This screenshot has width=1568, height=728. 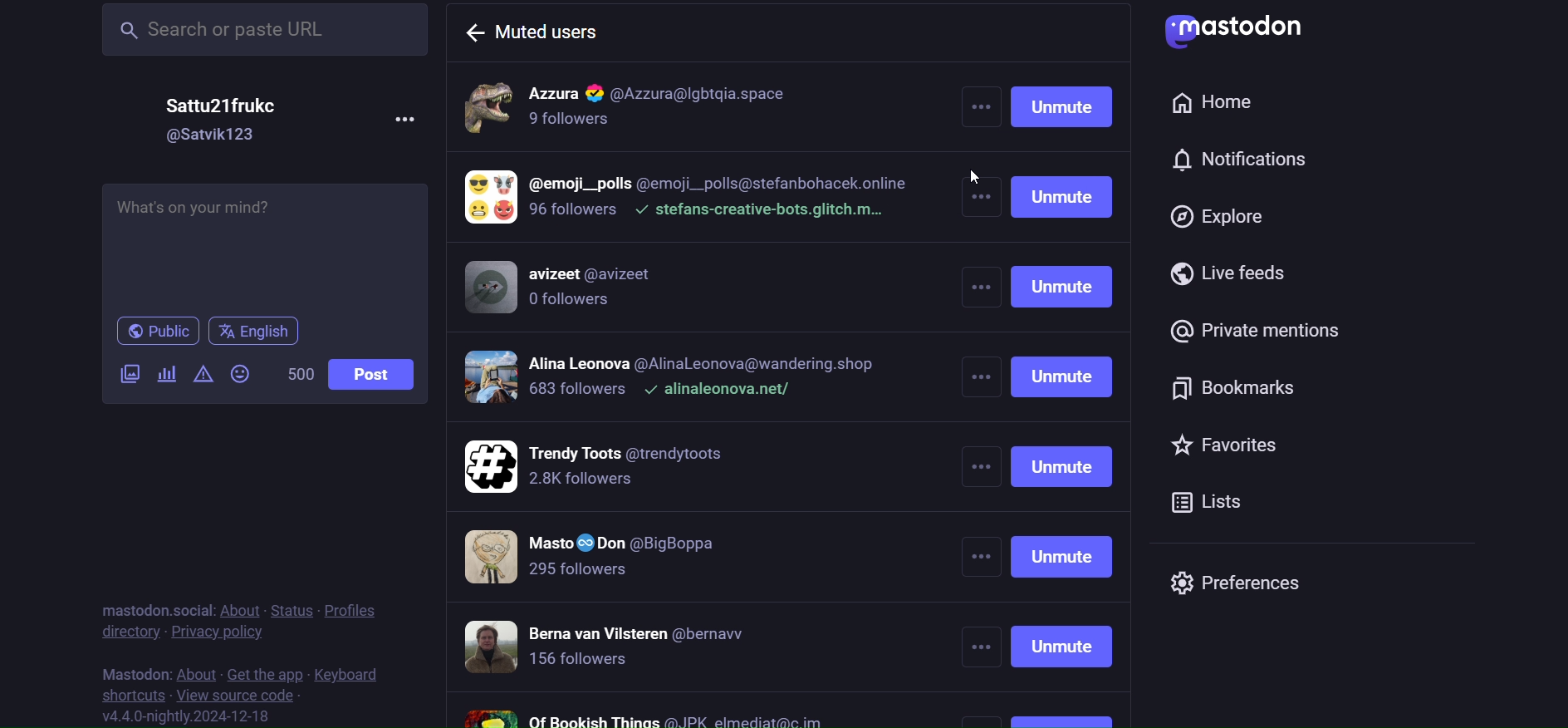 I want to click on other more options, so click(x=982, y=451).